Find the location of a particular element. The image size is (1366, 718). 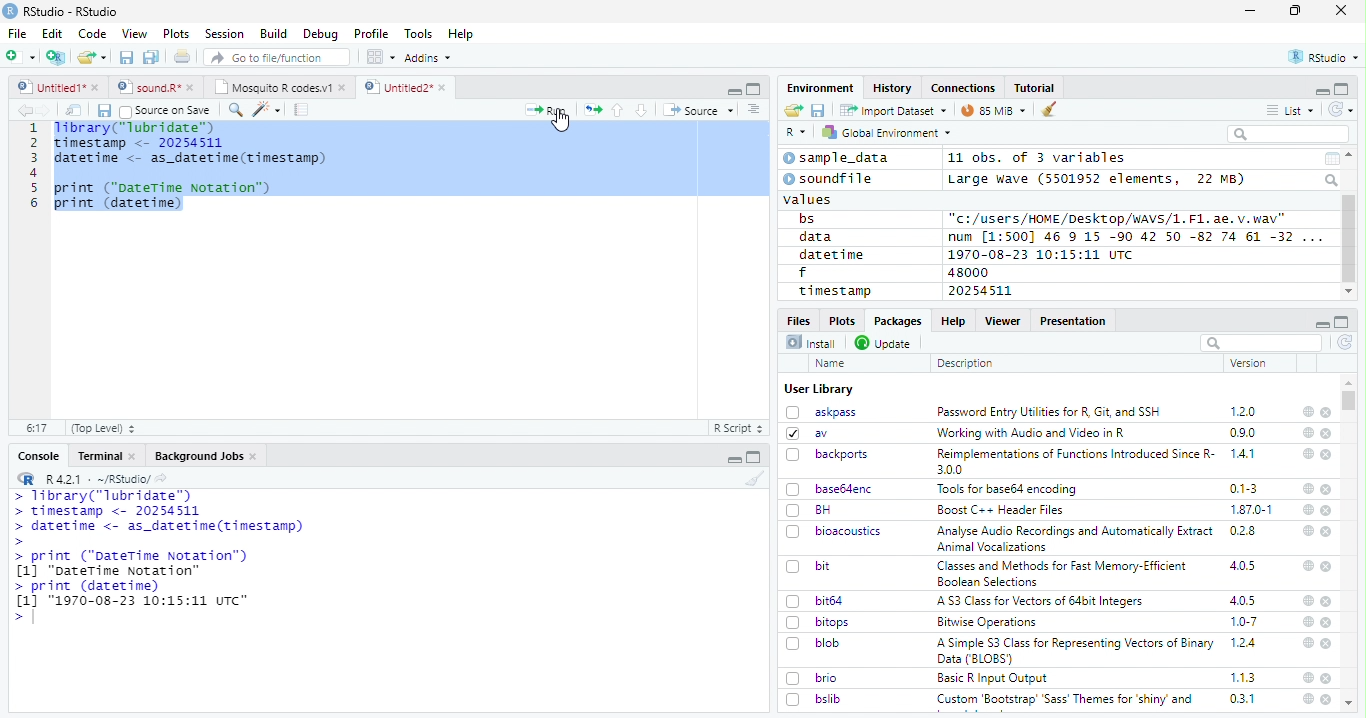

RStudio is located at coordinates (1325, 58).